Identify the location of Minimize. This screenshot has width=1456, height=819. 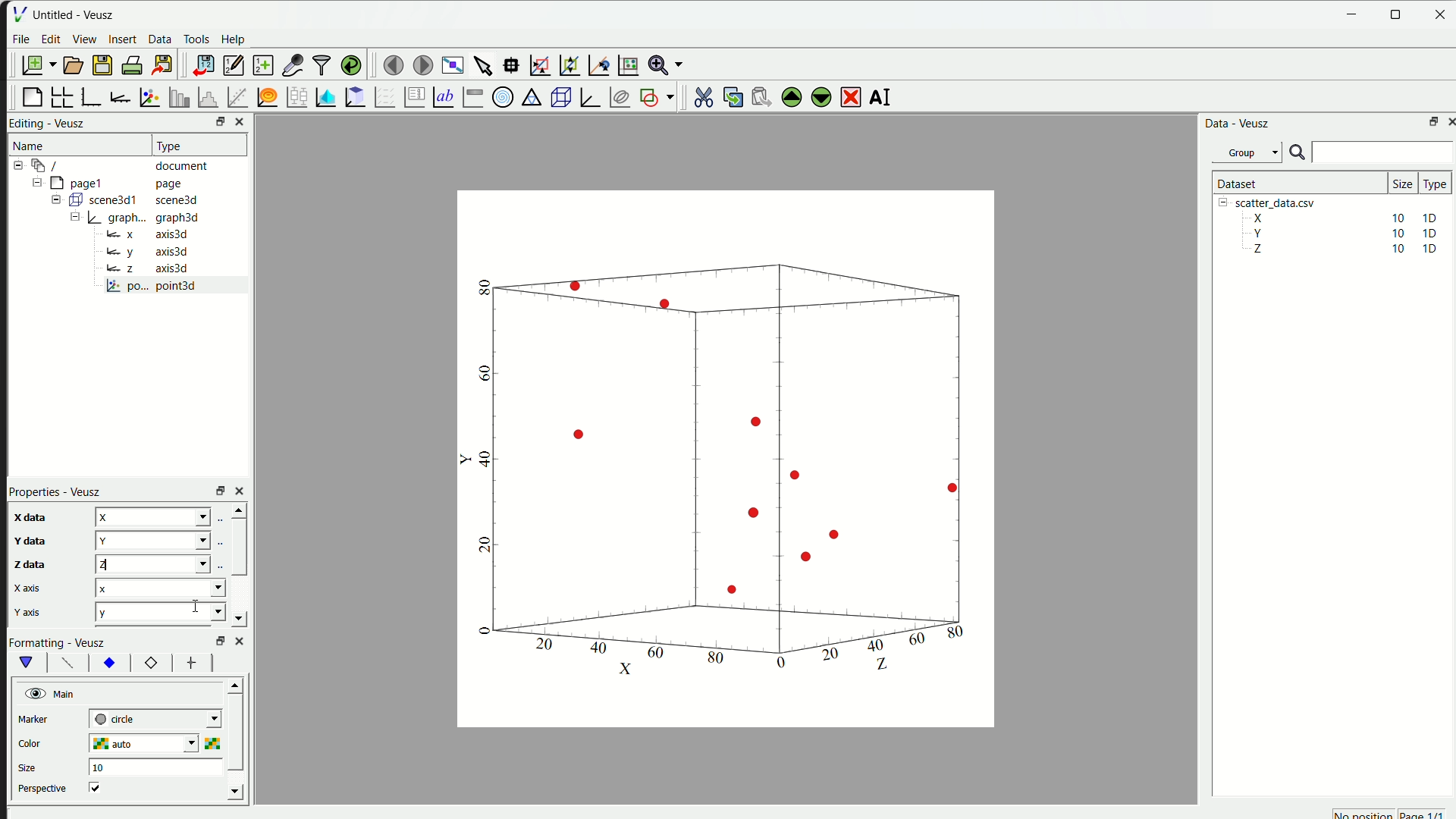
(1353, 14).